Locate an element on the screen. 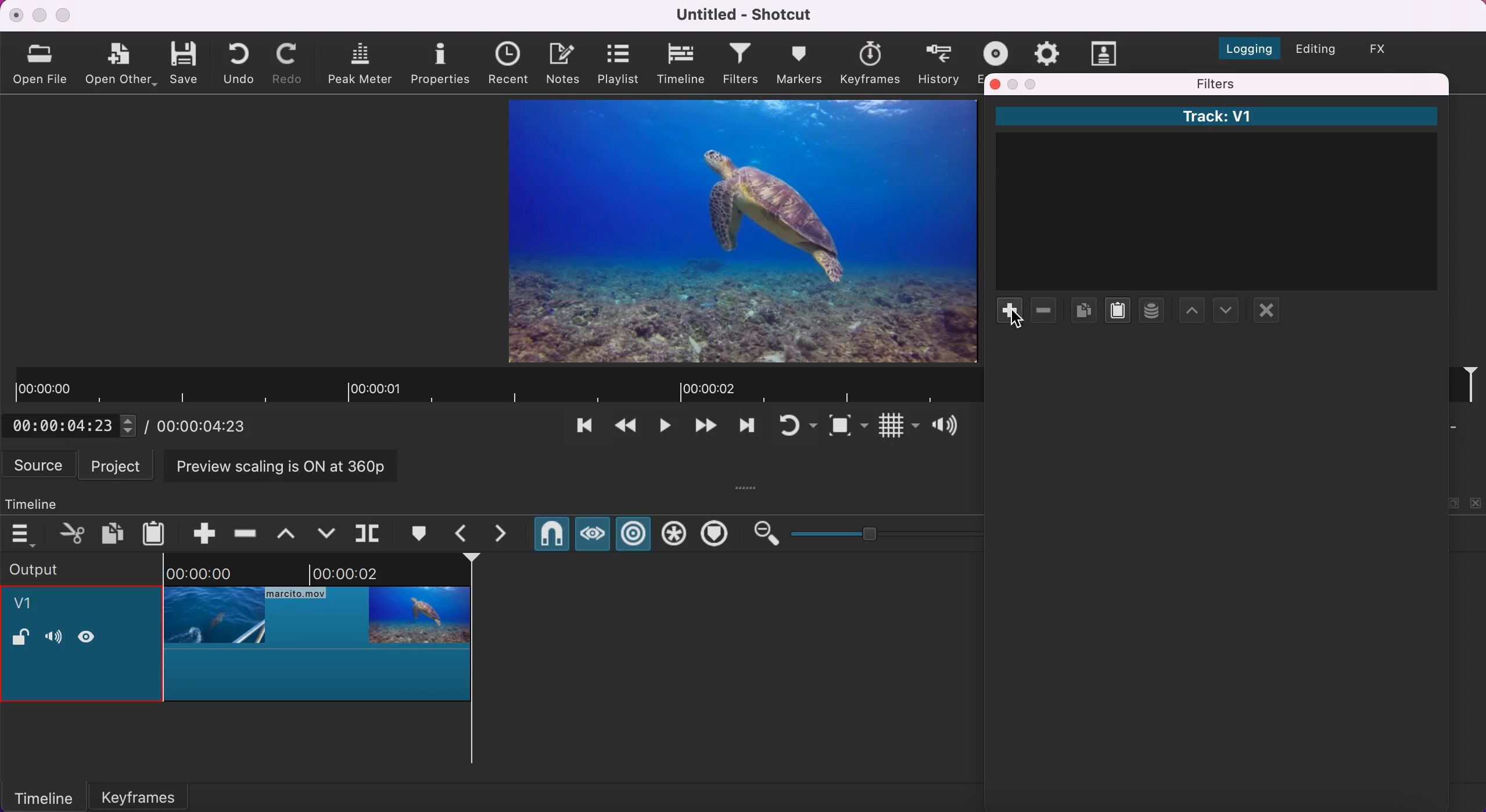 The image size is (1486, 812). properties is located at coordinates (442, 62).